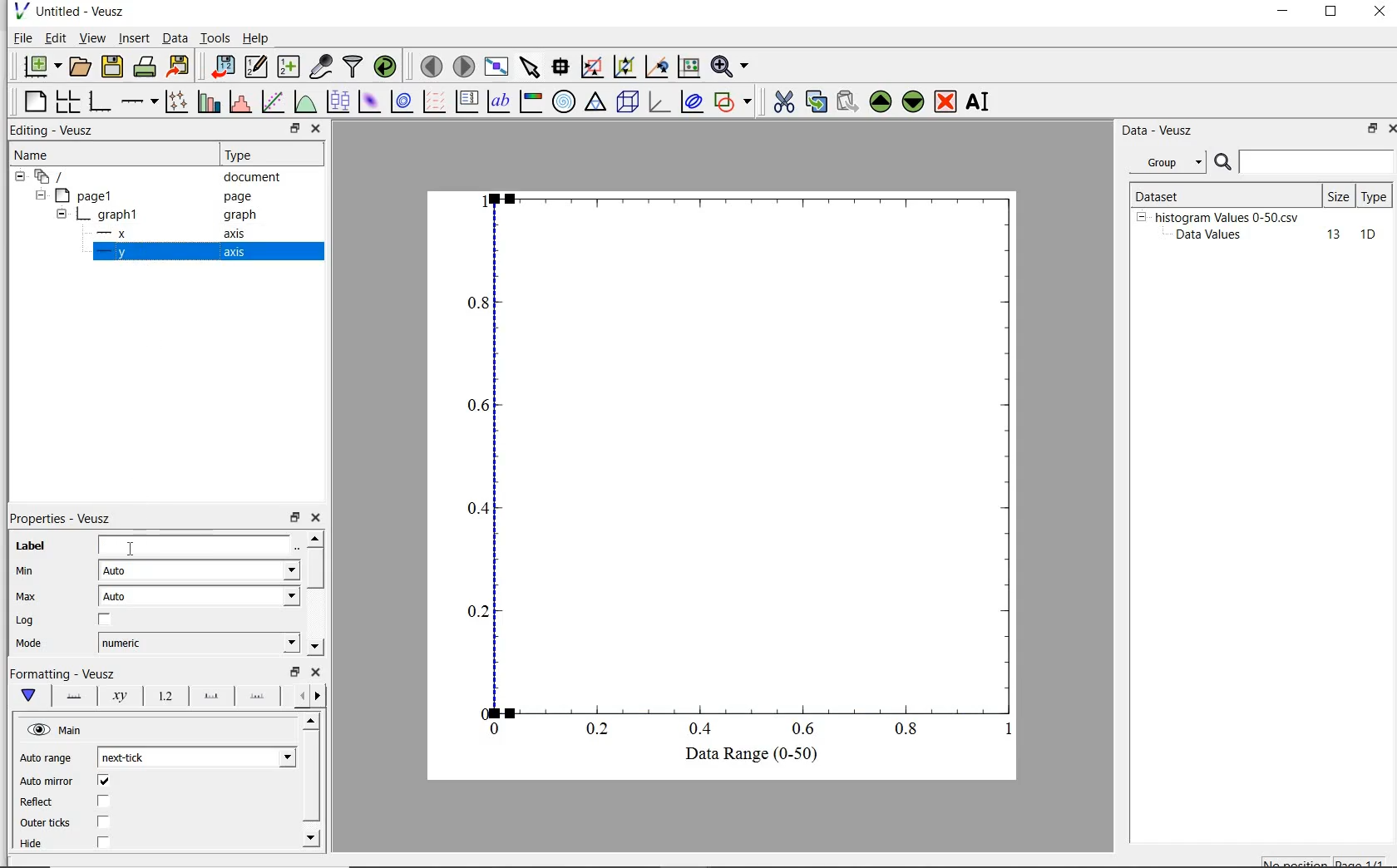 The width and height of the screenshot is (1397, 868). Describe the element at coordinates (299, 696) in the screenshot. I see `previous options` at that location.